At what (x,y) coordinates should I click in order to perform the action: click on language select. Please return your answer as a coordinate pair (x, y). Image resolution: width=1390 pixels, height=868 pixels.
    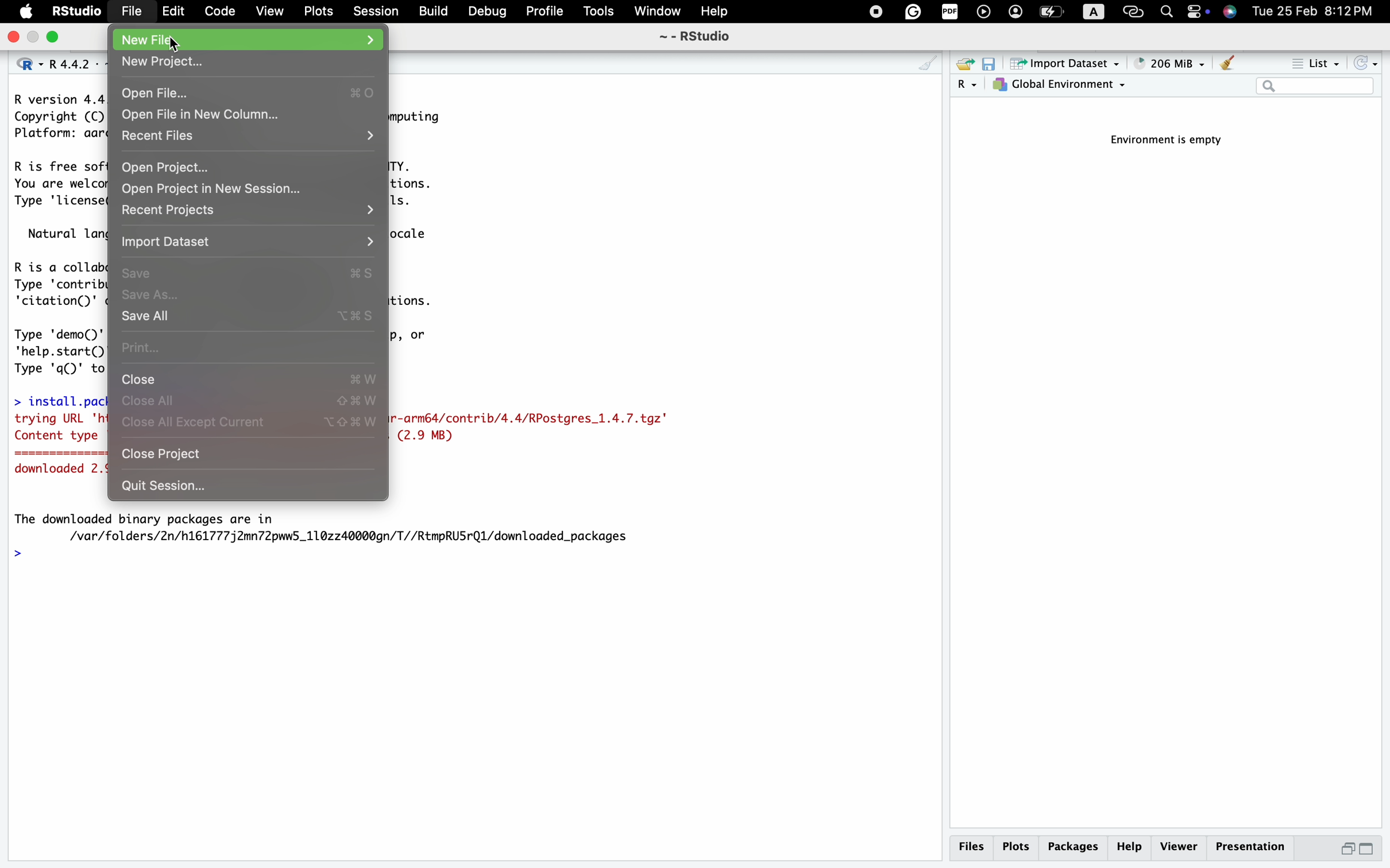
    Looking at the image, I should click on (22, 63).